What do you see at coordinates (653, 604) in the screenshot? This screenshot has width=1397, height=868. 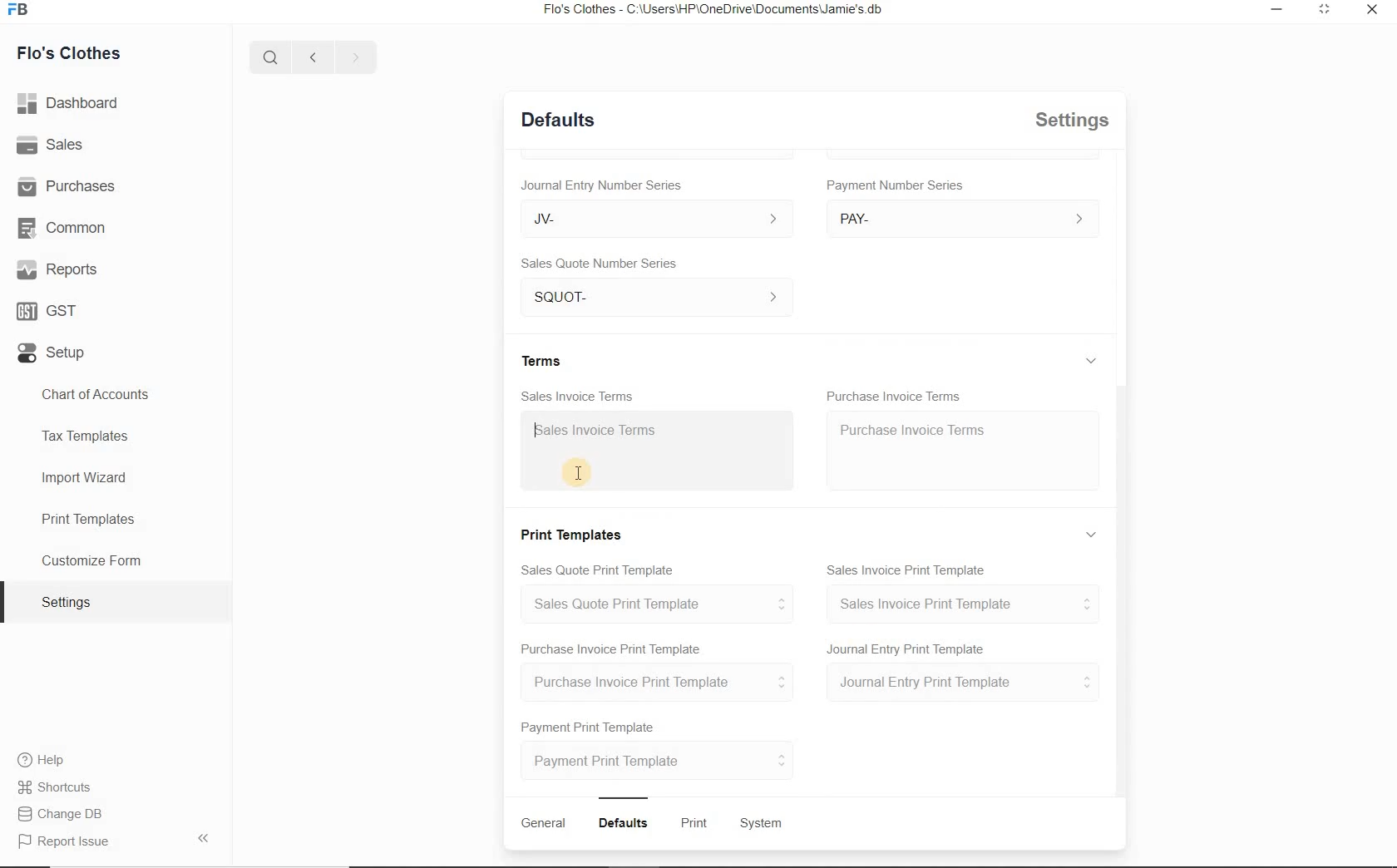 I see `Sales Quote Print Template` at bounding box center [653, 604].